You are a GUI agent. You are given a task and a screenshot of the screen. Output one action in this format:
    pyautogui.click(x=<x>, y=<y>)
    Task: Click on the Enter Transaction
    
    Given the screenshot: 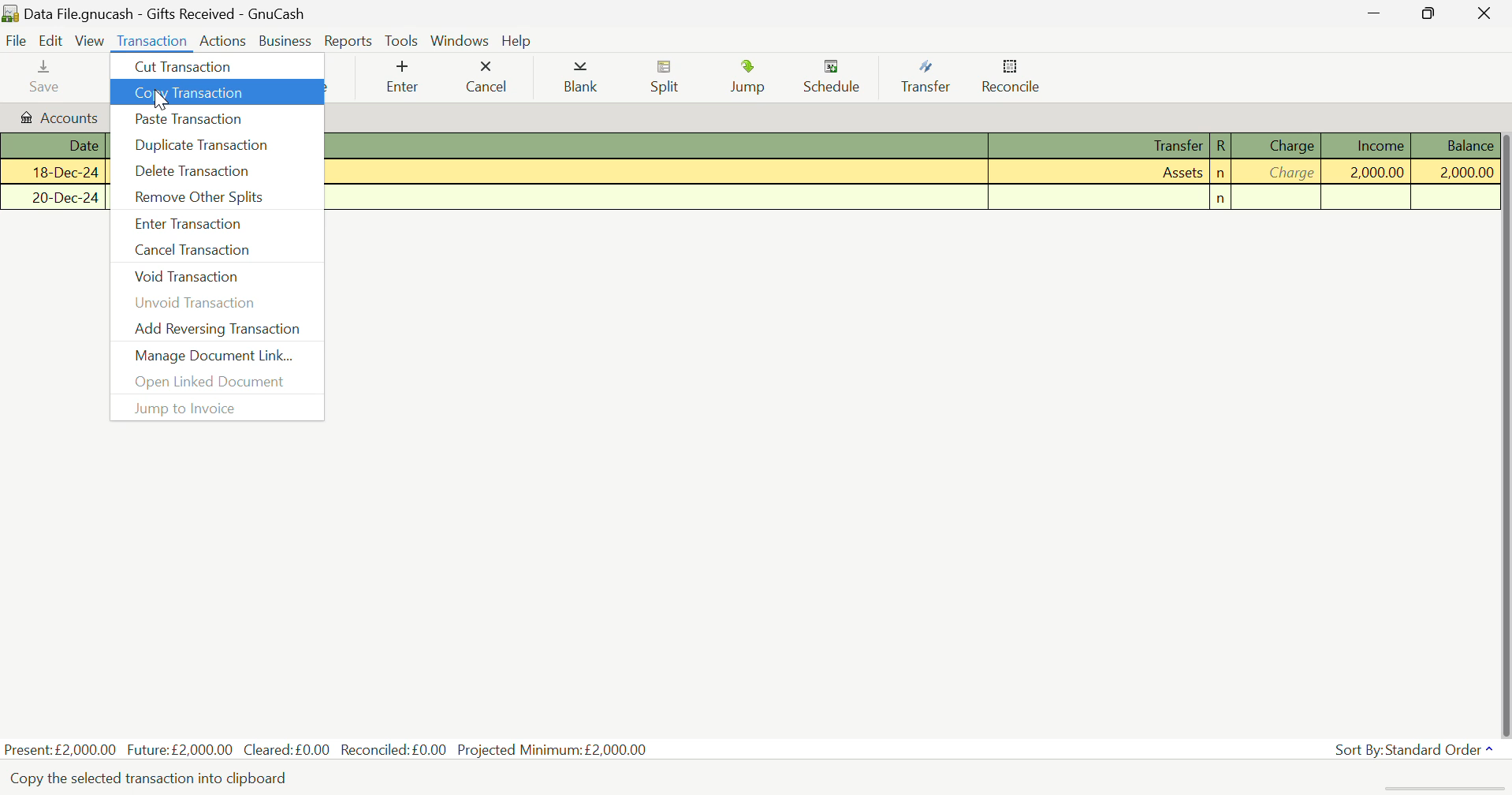 What is the action you would take?
    pyautogui.click(x=217, y=224)
    